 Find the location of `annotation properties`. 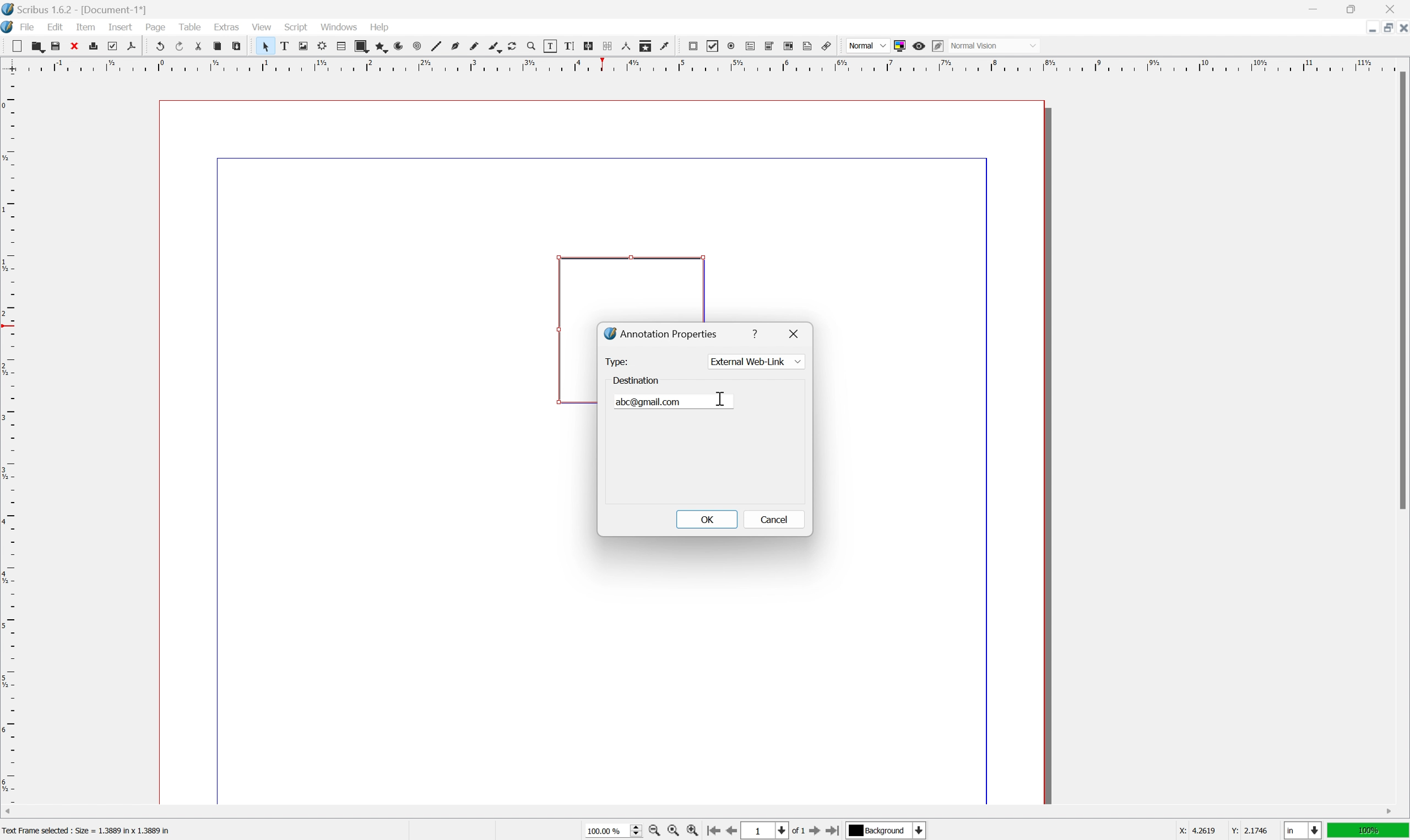

annotation properties is located at coordinates (661, 333).